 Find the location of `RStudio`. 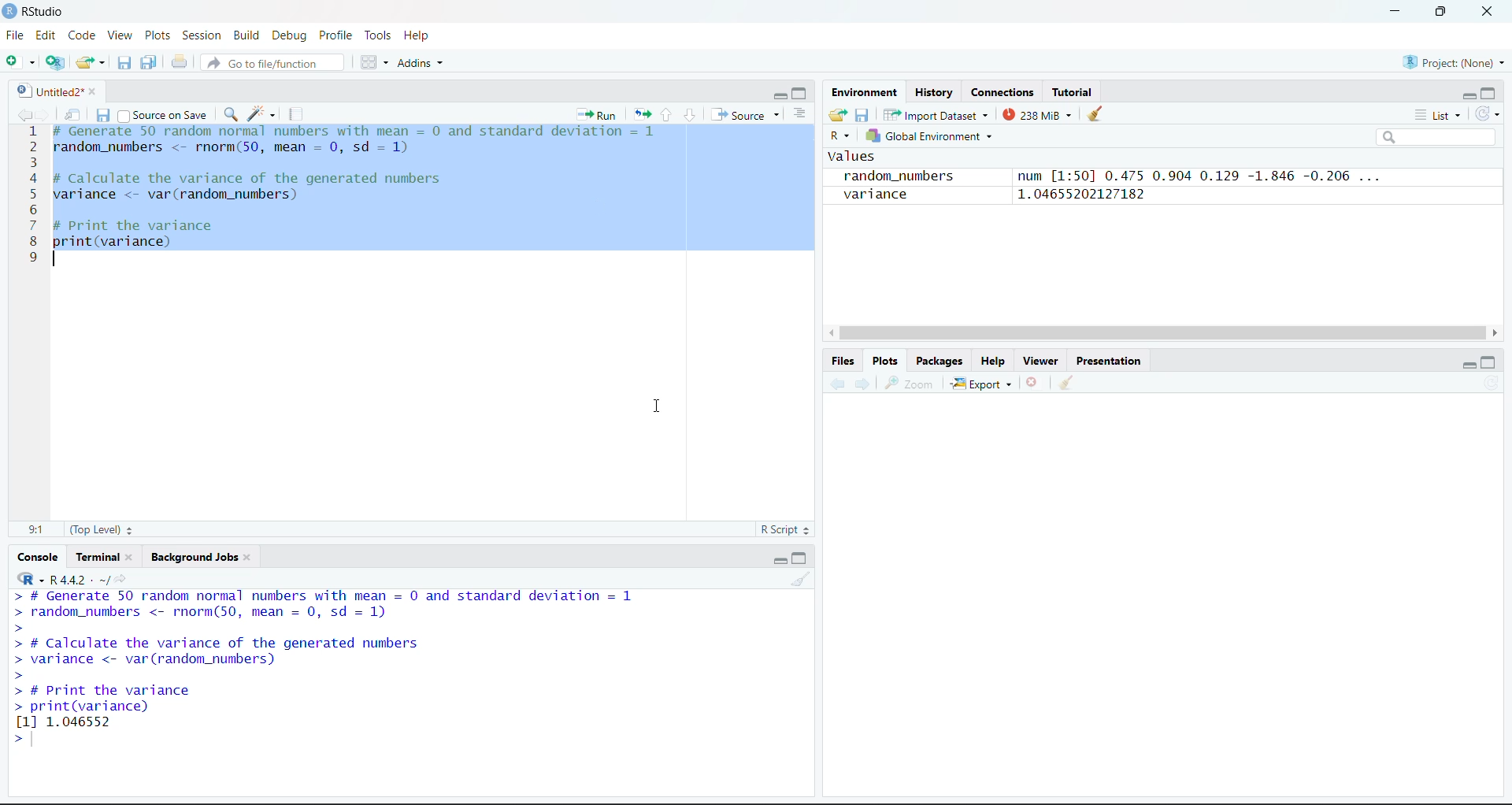

RStudio is located at coordinates (44, 12).